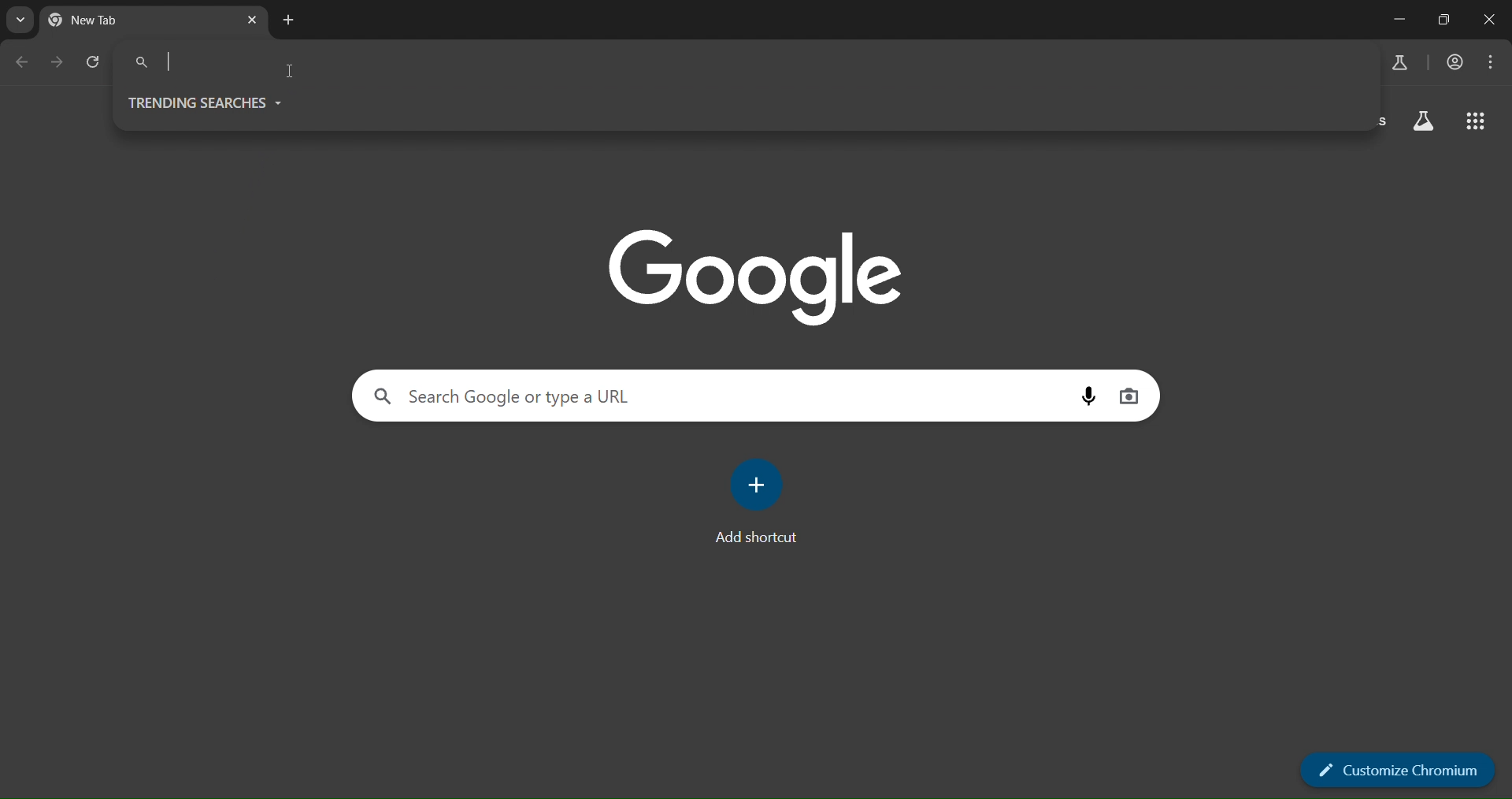  Describe the element at coordinates (22, 64) in the screenshot. I see `go back one page` at that location.